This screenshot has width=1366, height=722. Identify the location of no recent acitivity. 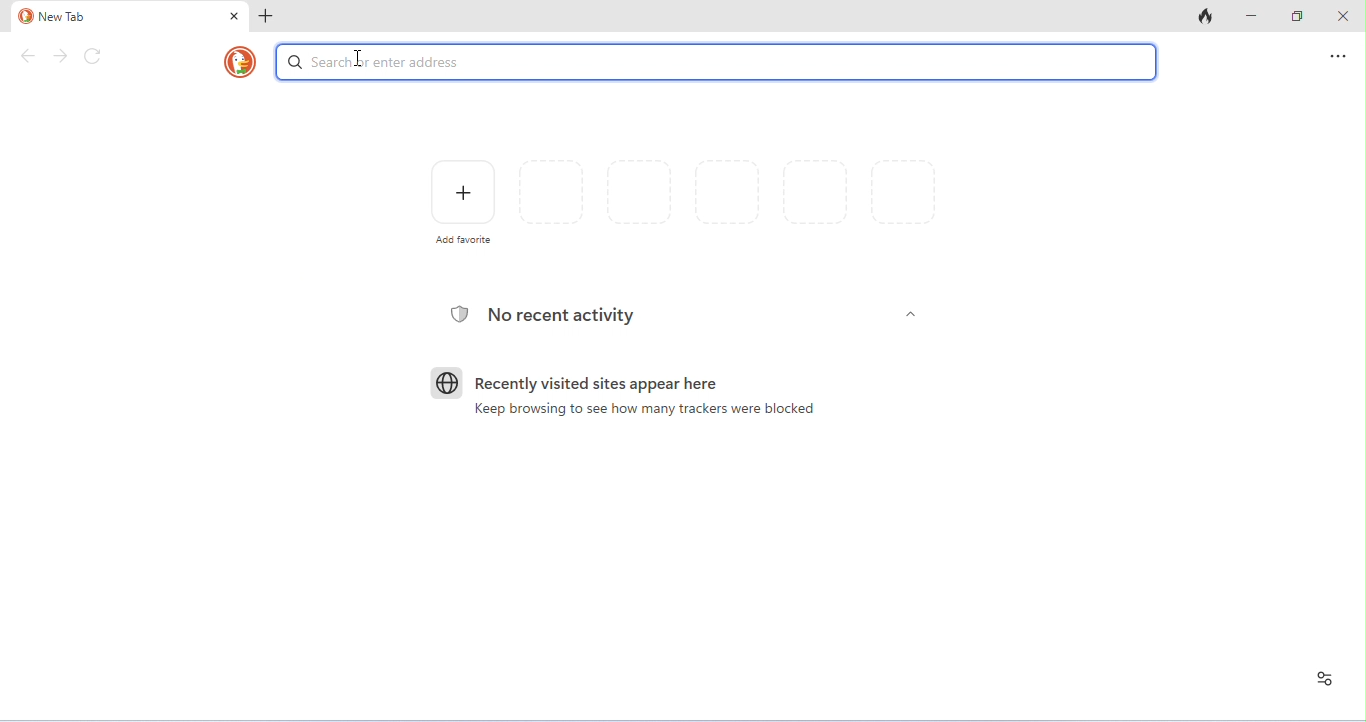
(545, 314).